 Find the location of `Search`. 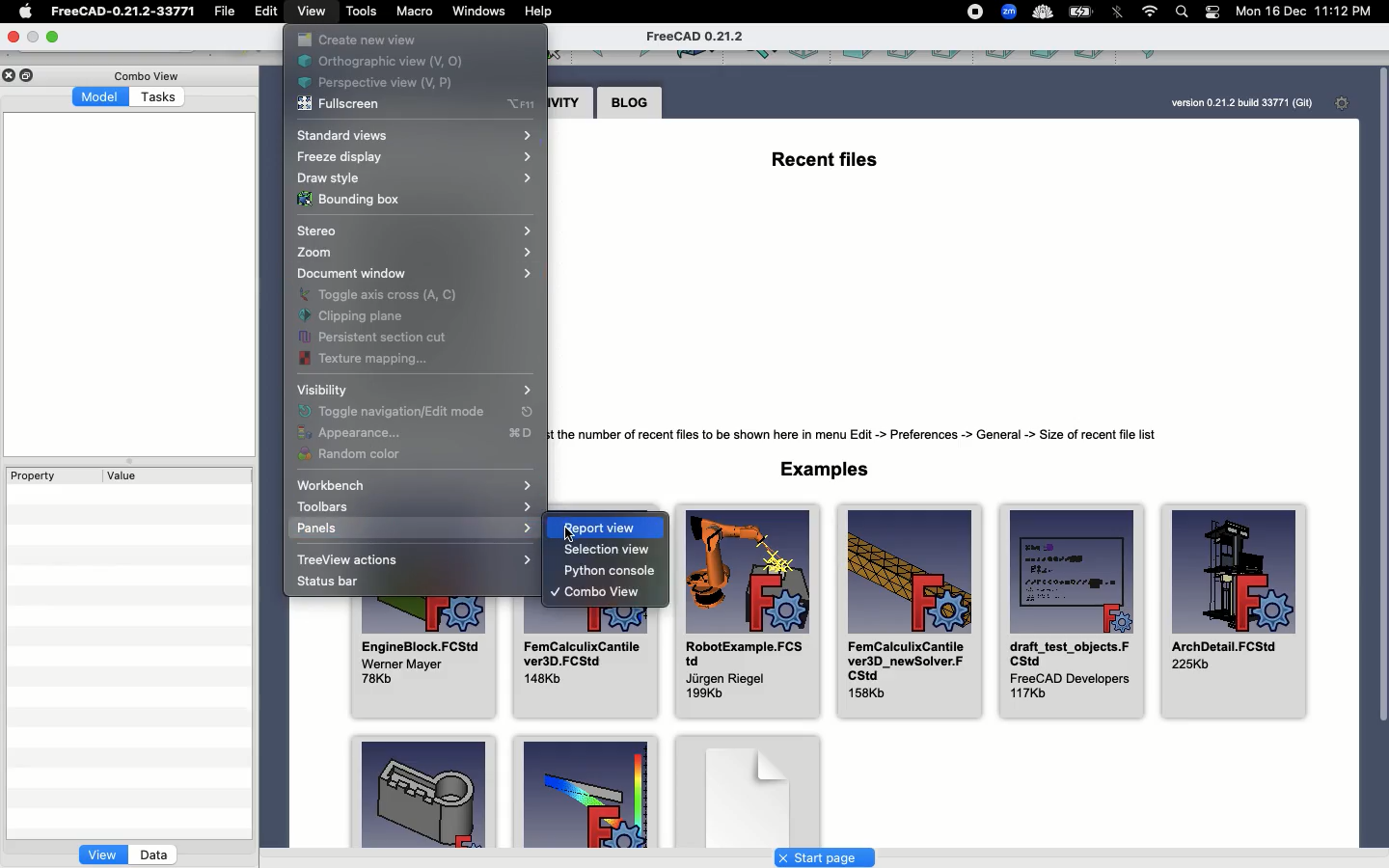

Search is located at coordinates (1183, 12).